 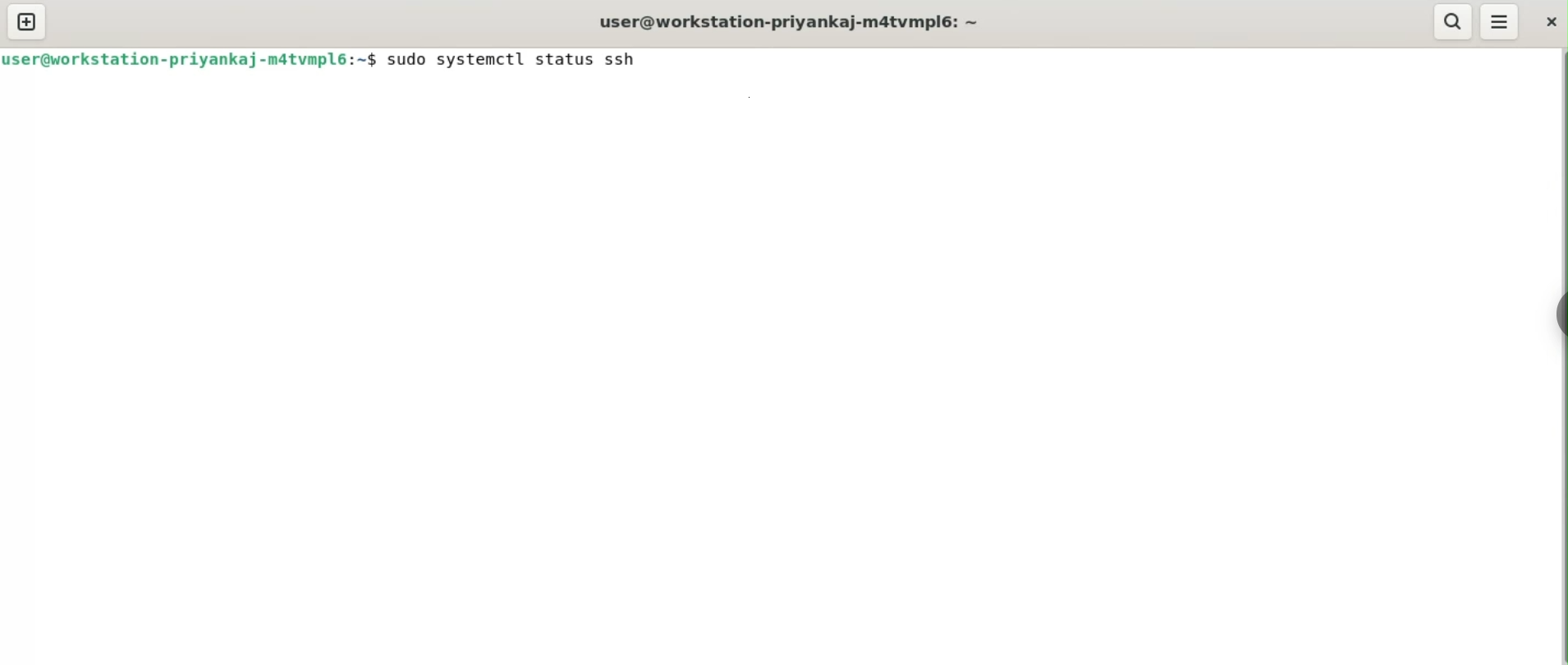 What do you see at coordinates (524, 59) in the screenshot?
I see `sudo systemctl status ssh` at bounding box center [524, 59].